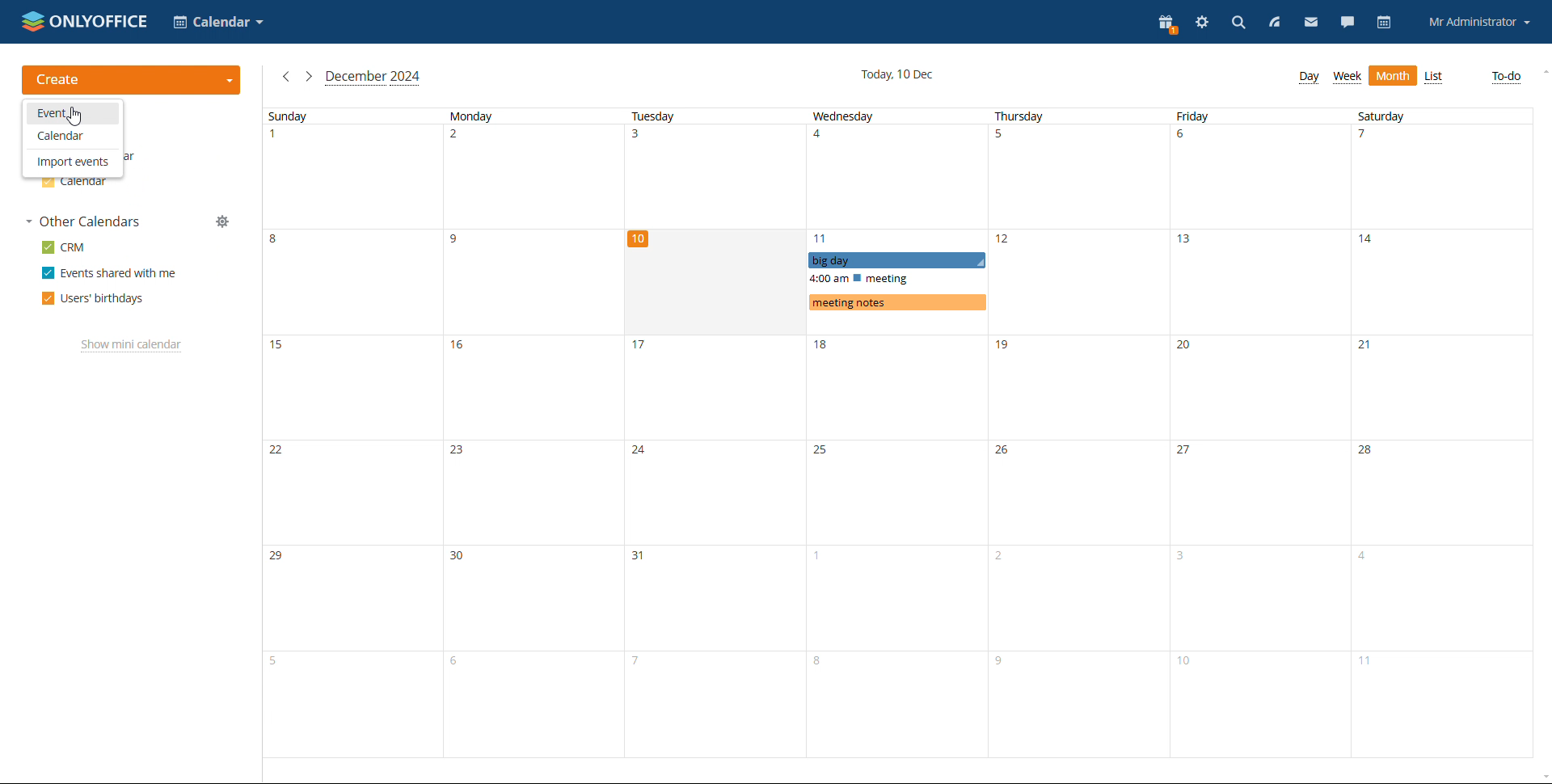  I want to click on scroll up, so click(1542, 70).